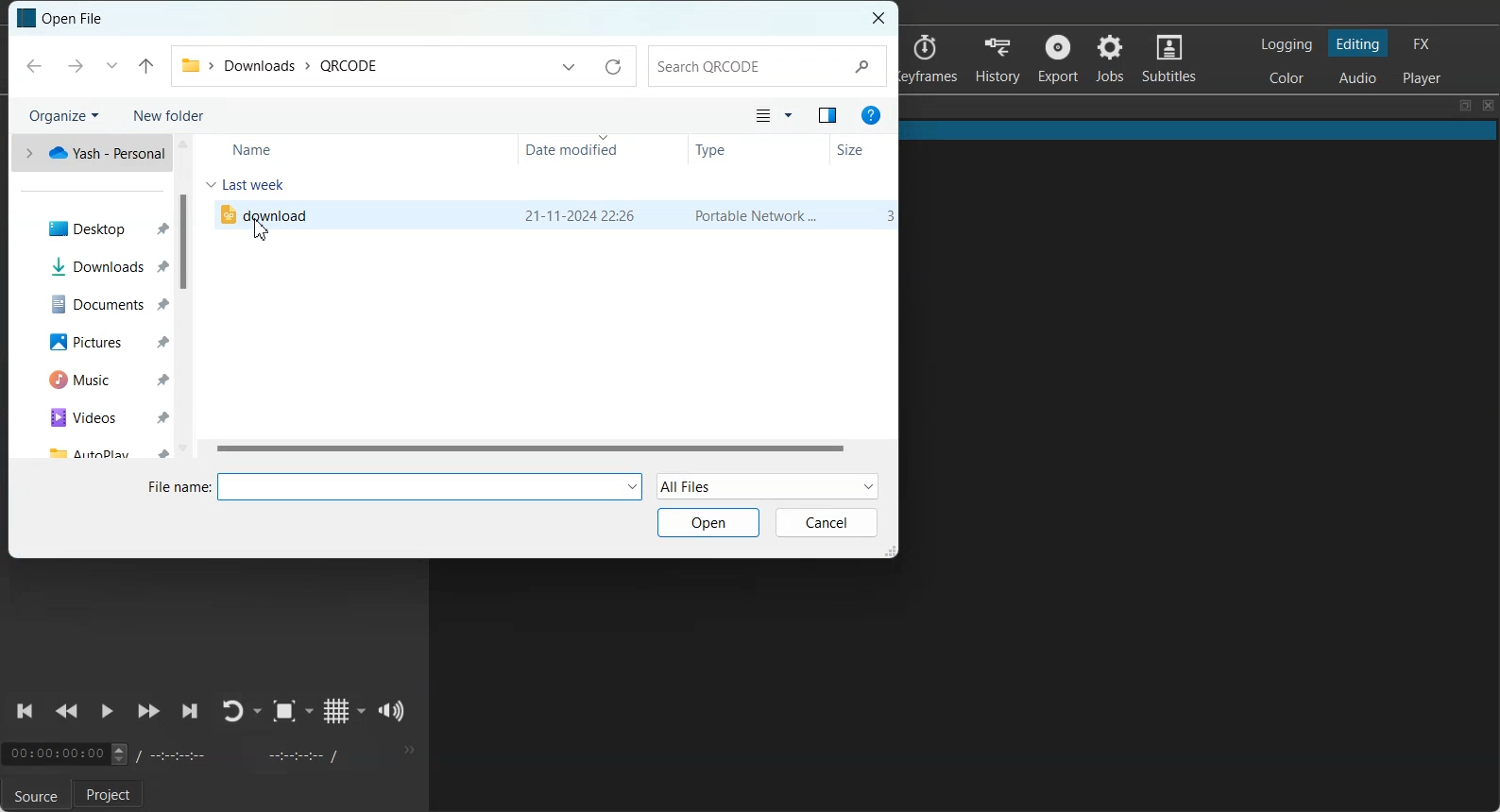 This screenshot has height=812, width=1500. I want to click on Previous Location, so click(111, 66).